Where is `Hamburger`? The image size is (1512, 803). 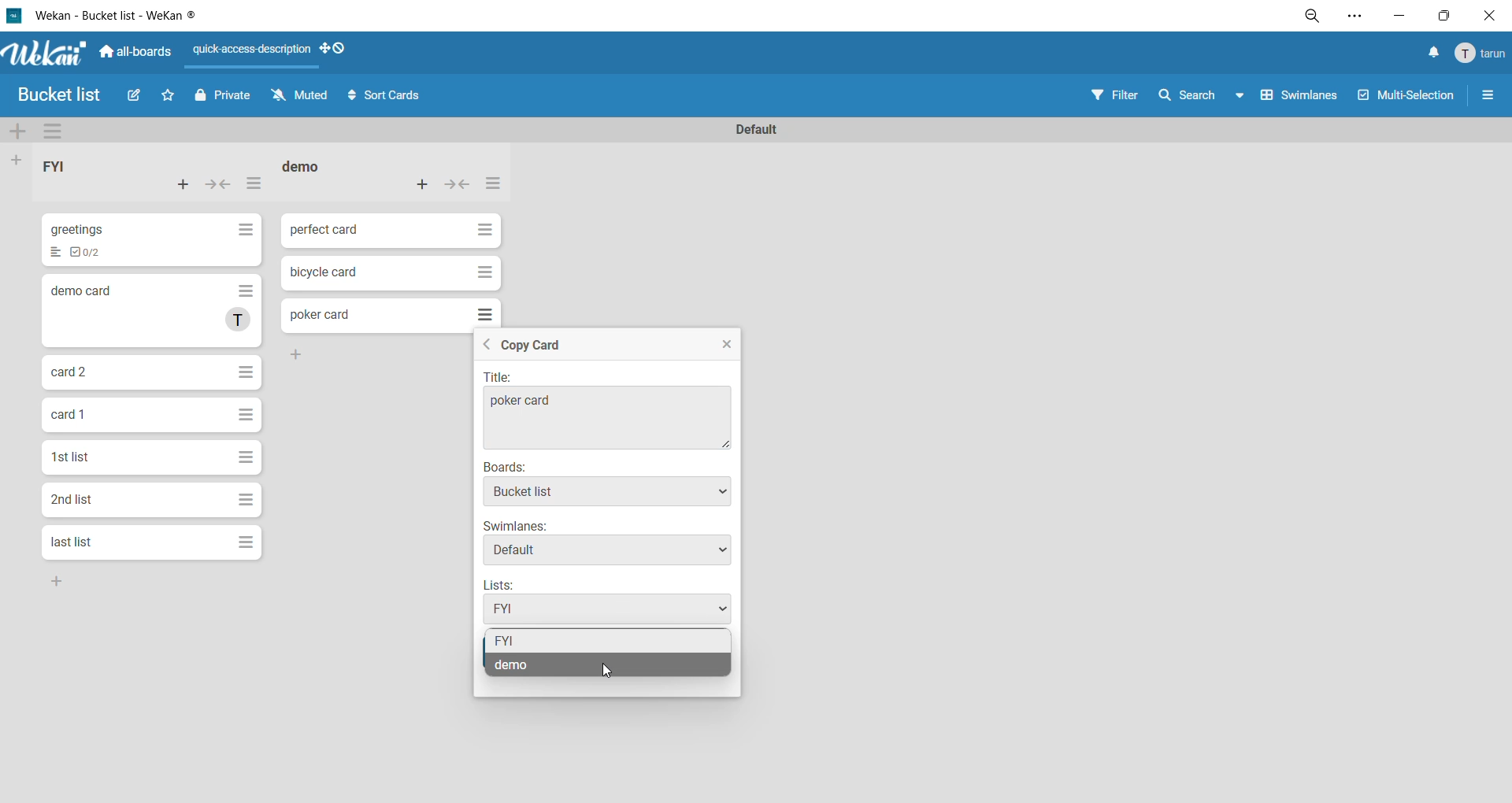
Hamburger is located at coordinates (246, 416).